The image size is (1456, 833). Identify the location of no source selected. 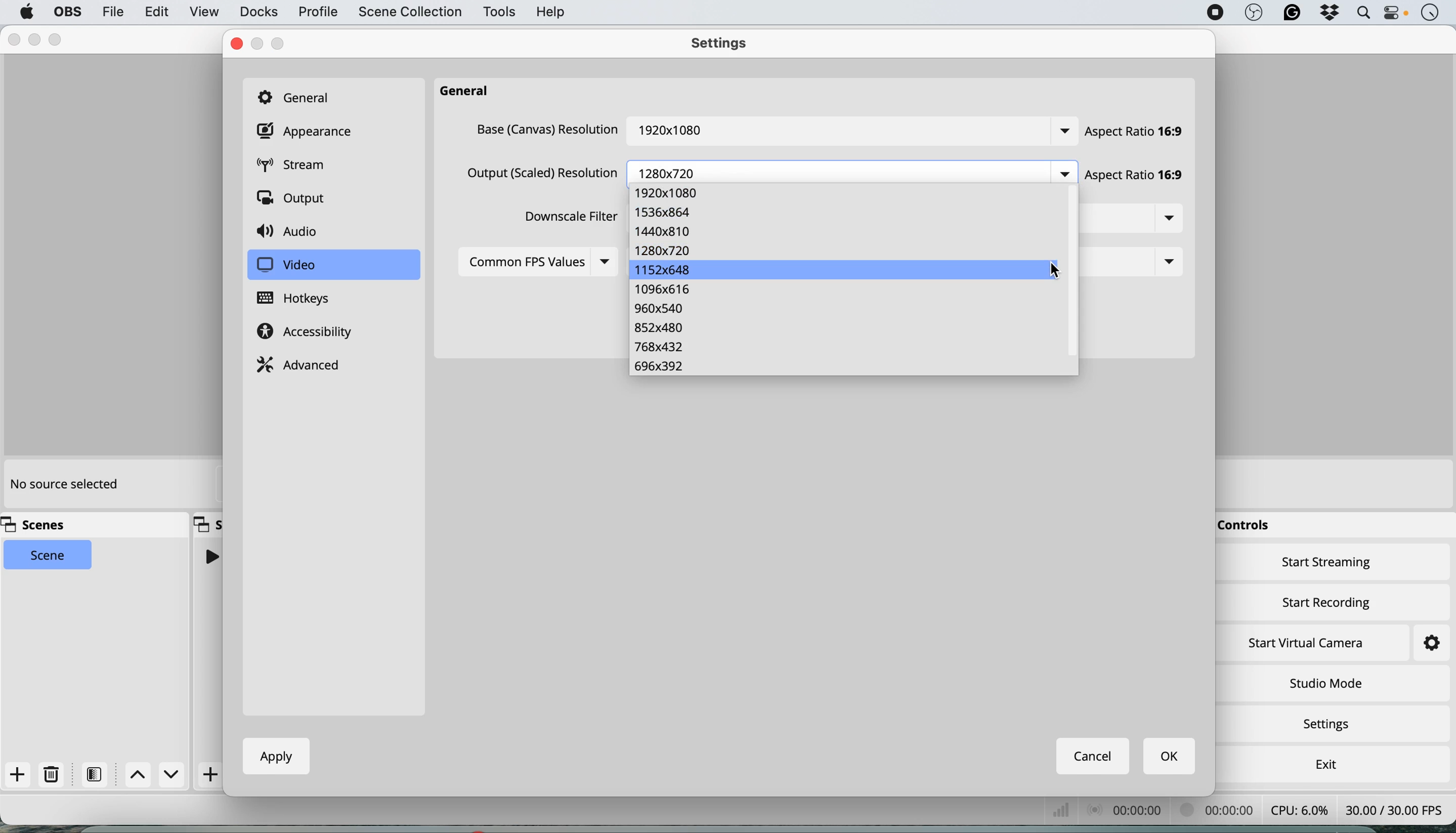
(63, 485).